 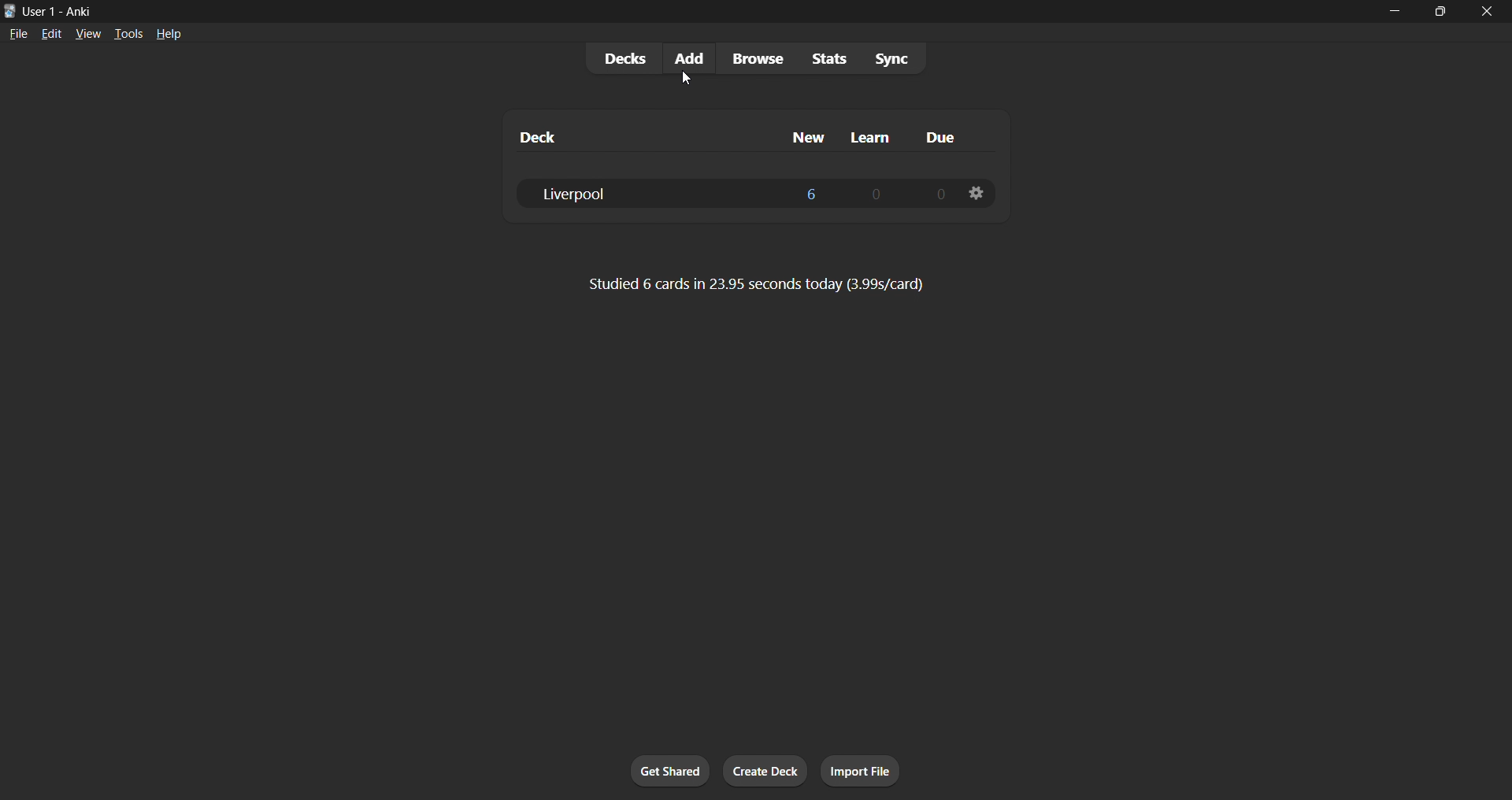 I want to click on card stats, so click(x=757, y=284).